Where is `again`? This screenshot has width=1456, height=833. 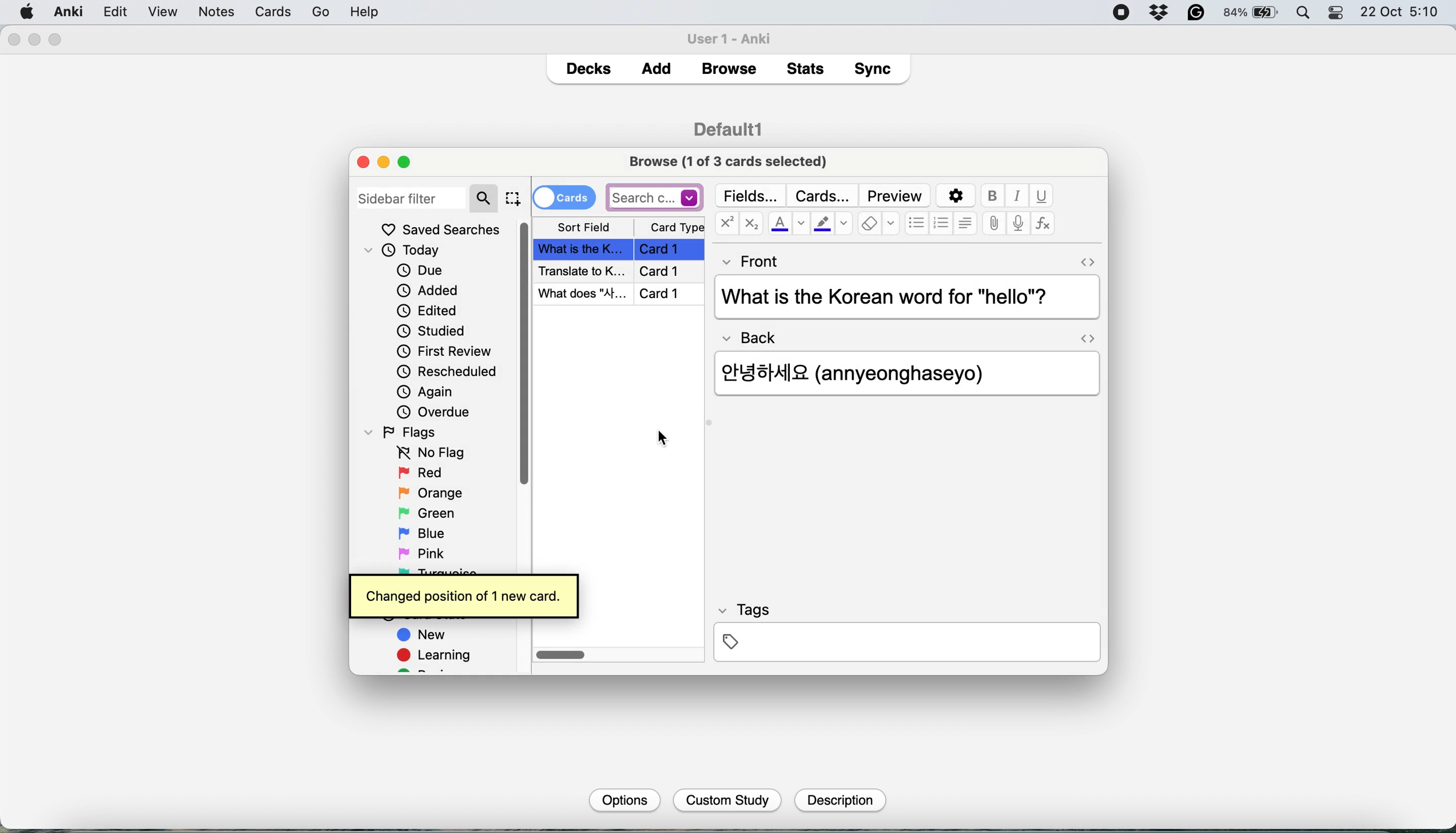
again is located at coordinates (425, 392).